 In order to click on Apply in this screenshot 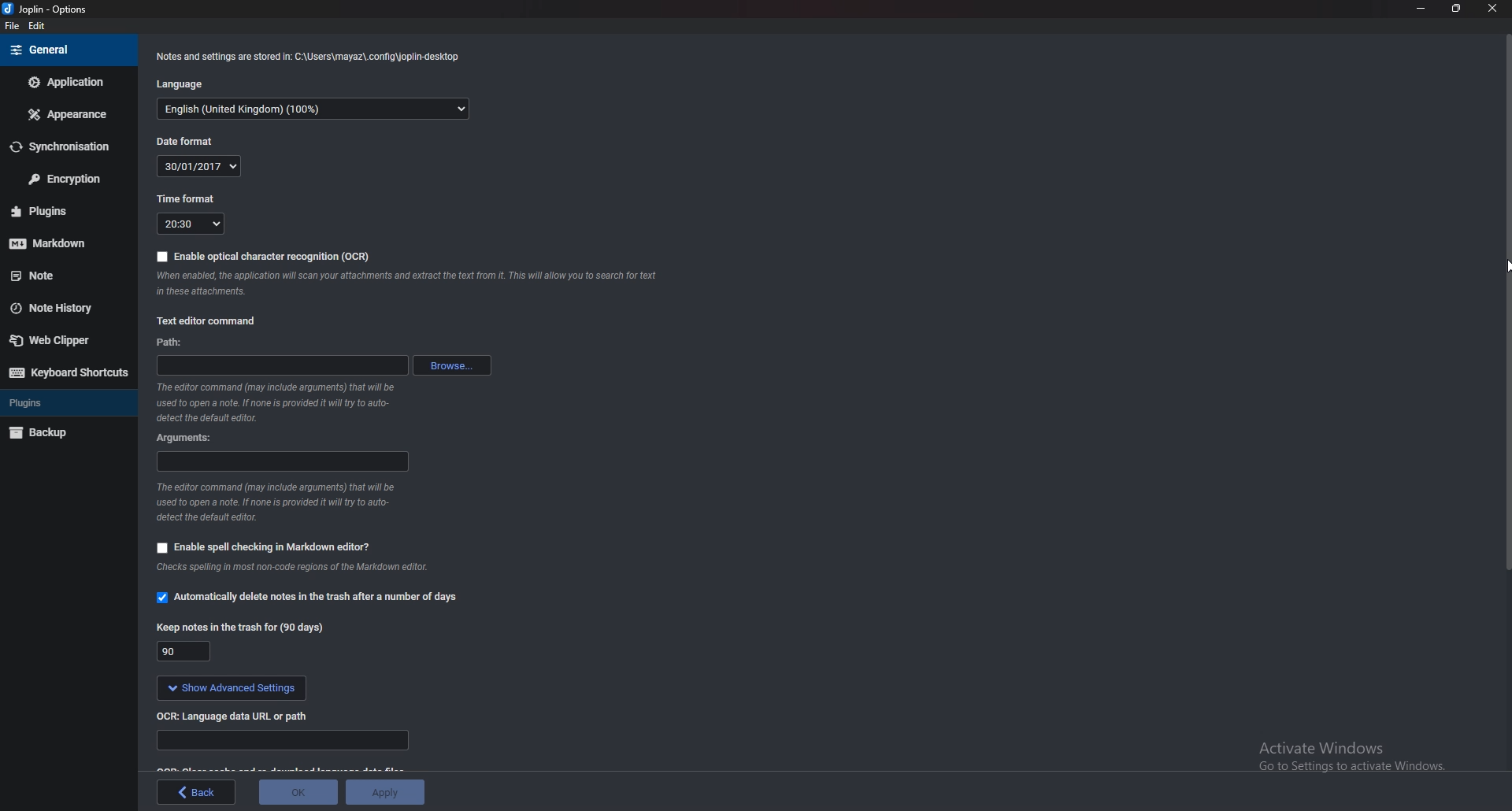, I will do `click(387, 791)`.